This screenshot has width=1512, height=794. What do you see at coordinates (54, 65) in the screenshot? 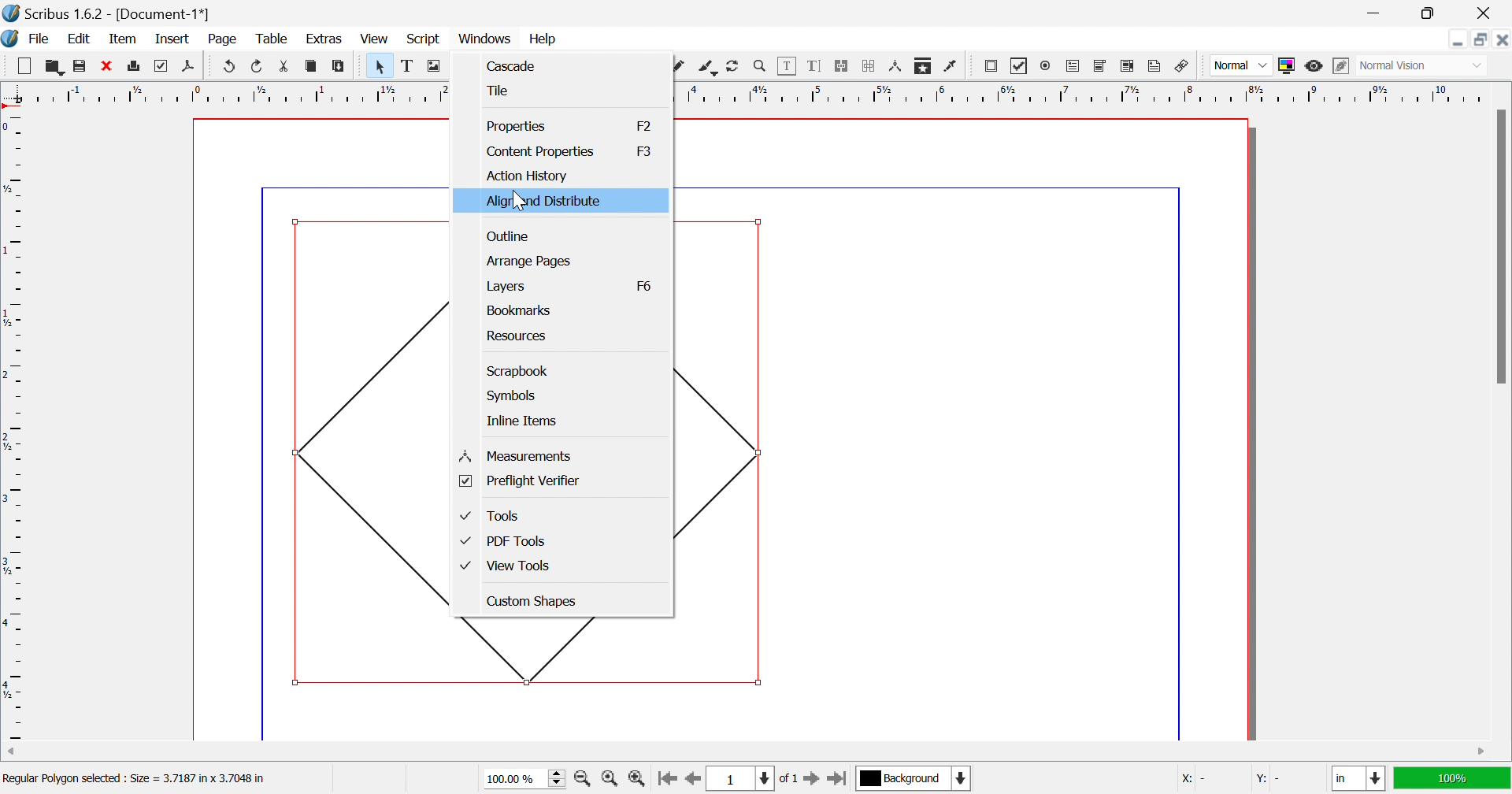
I see `Open` at bounding box center [54, 65].